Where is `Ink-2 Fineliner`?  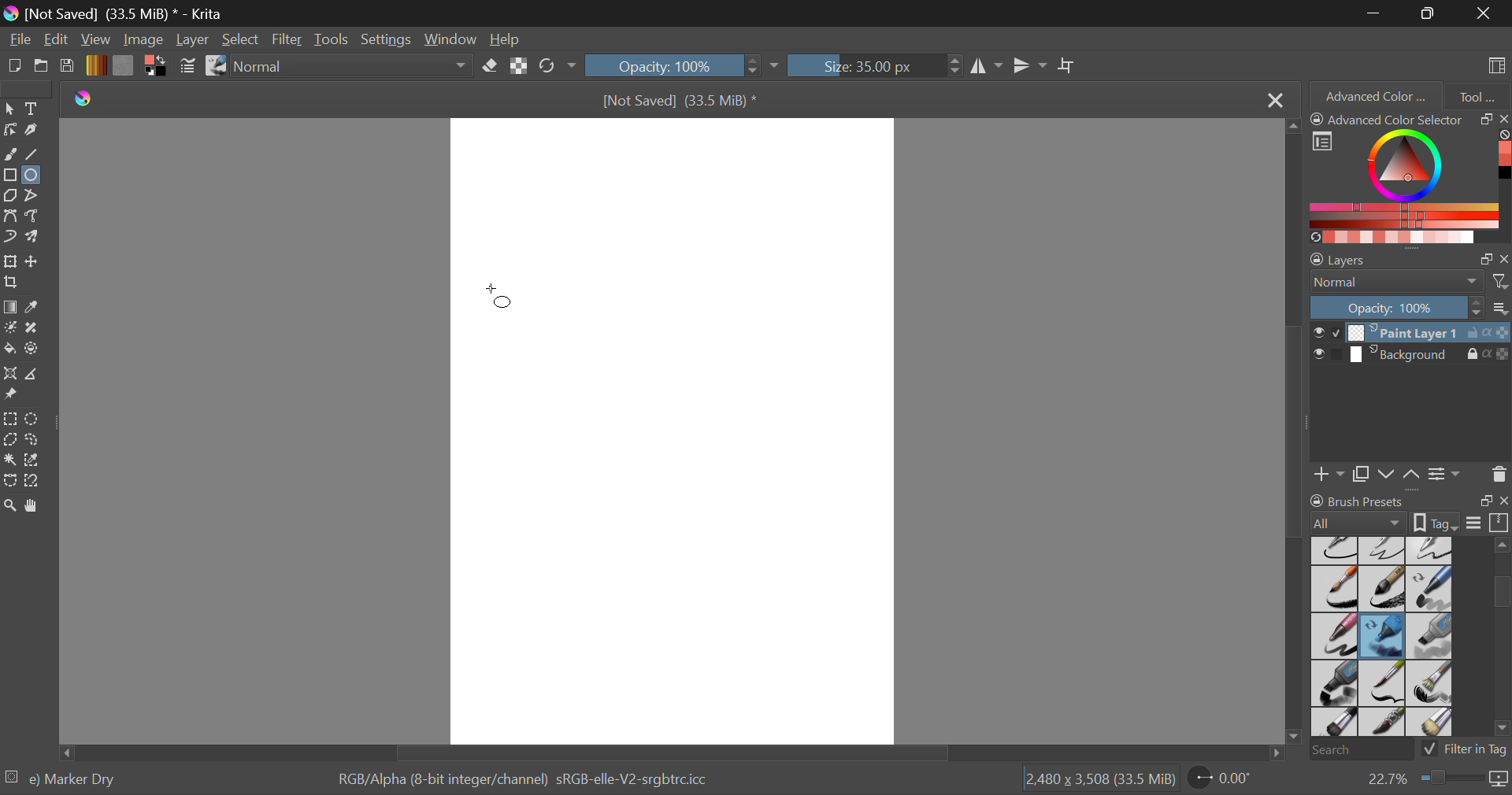 Ink-2 Fineliner is located at coordinates (1336, 549).